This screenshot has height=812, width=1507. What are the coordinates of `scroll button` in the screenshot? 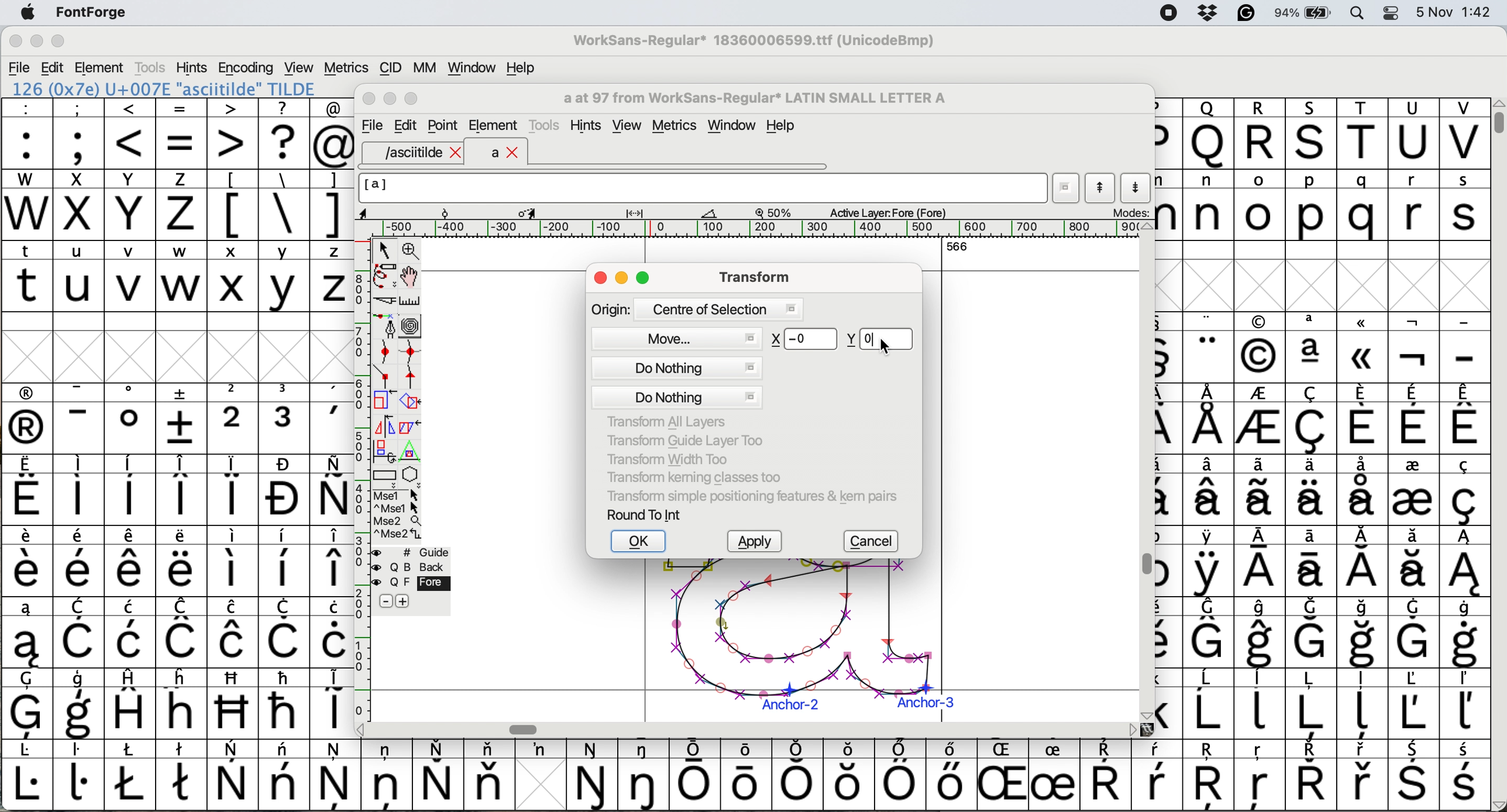 It's located at (1147, 227).